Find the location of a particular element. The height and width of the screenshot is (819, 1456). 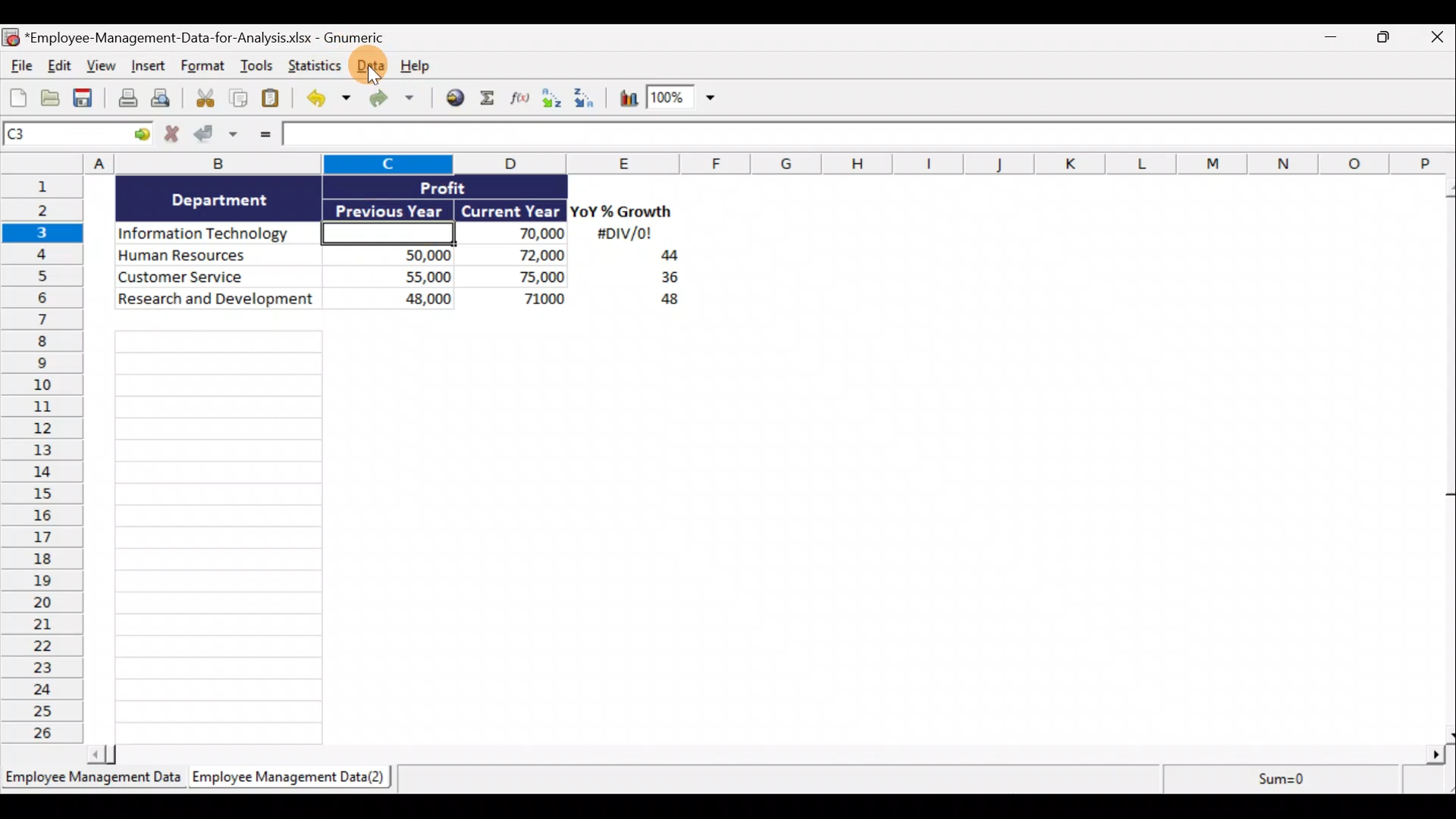

Undo last action is located at coordinates (331, 99).